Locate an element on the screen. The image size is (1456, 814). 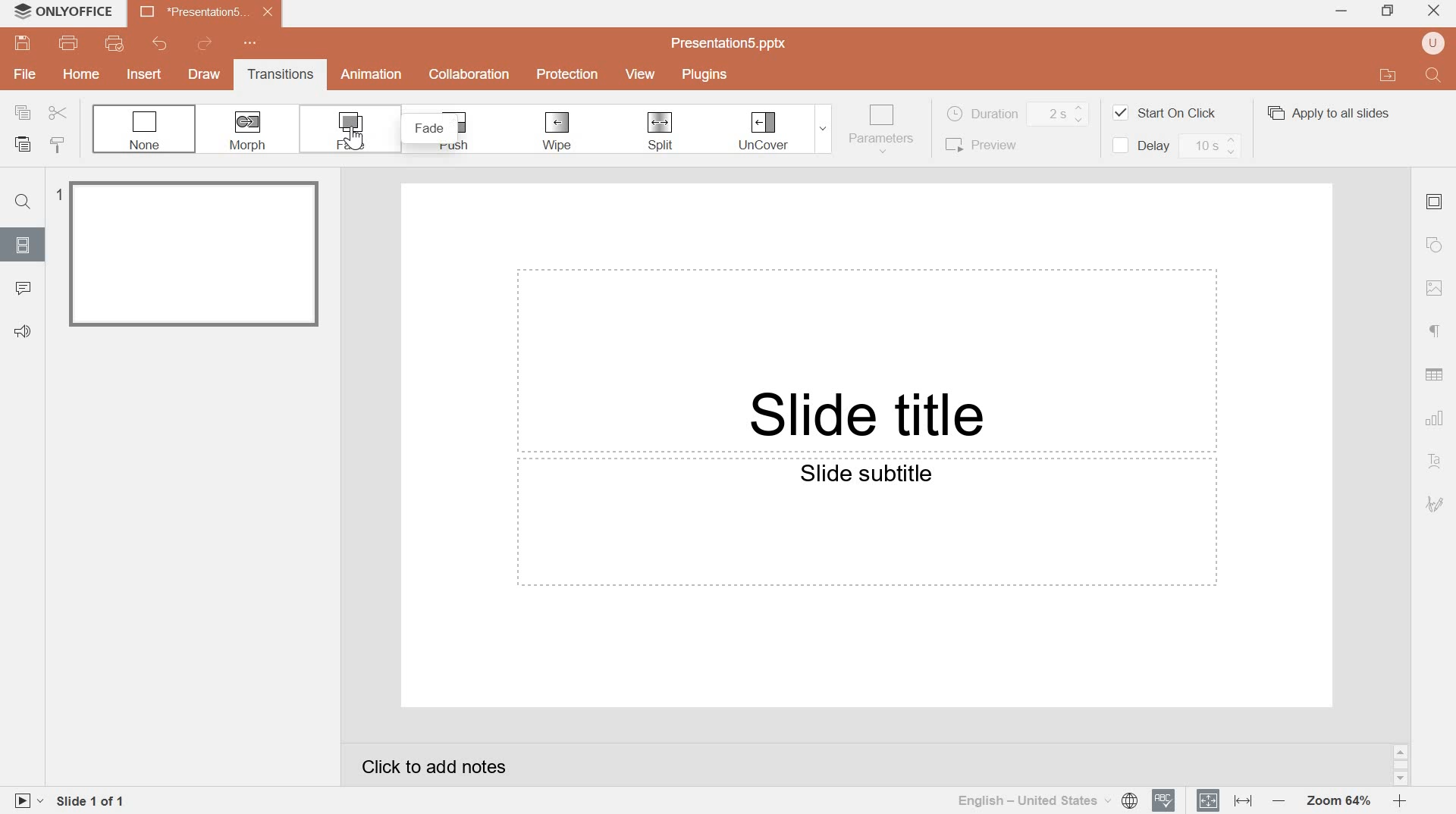
scroll down is located at coordinates (1401, 780).